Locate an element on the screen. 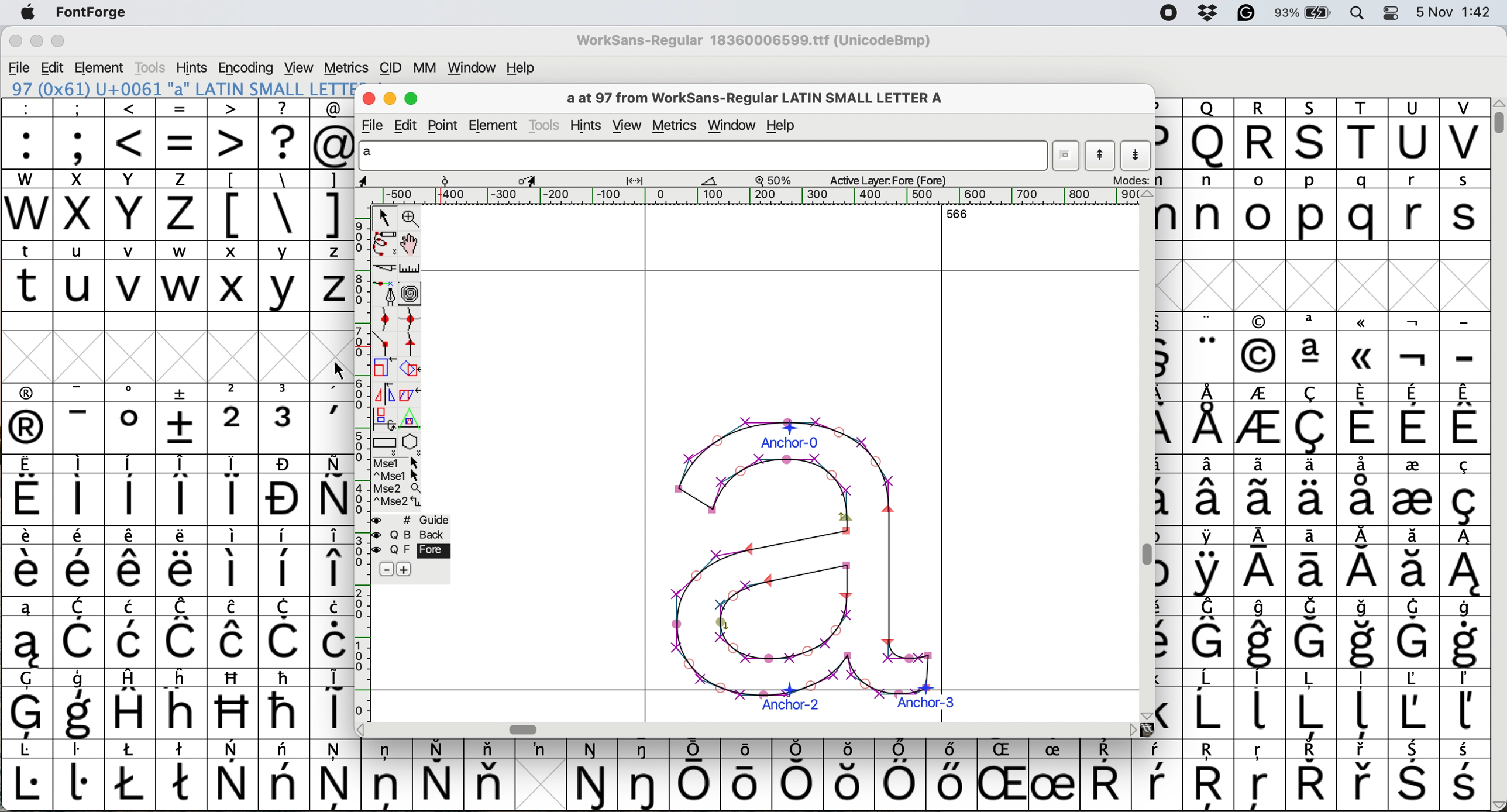 The height and width of the screenshot is (812, 1507). n is located at coordinates (1208, 204).